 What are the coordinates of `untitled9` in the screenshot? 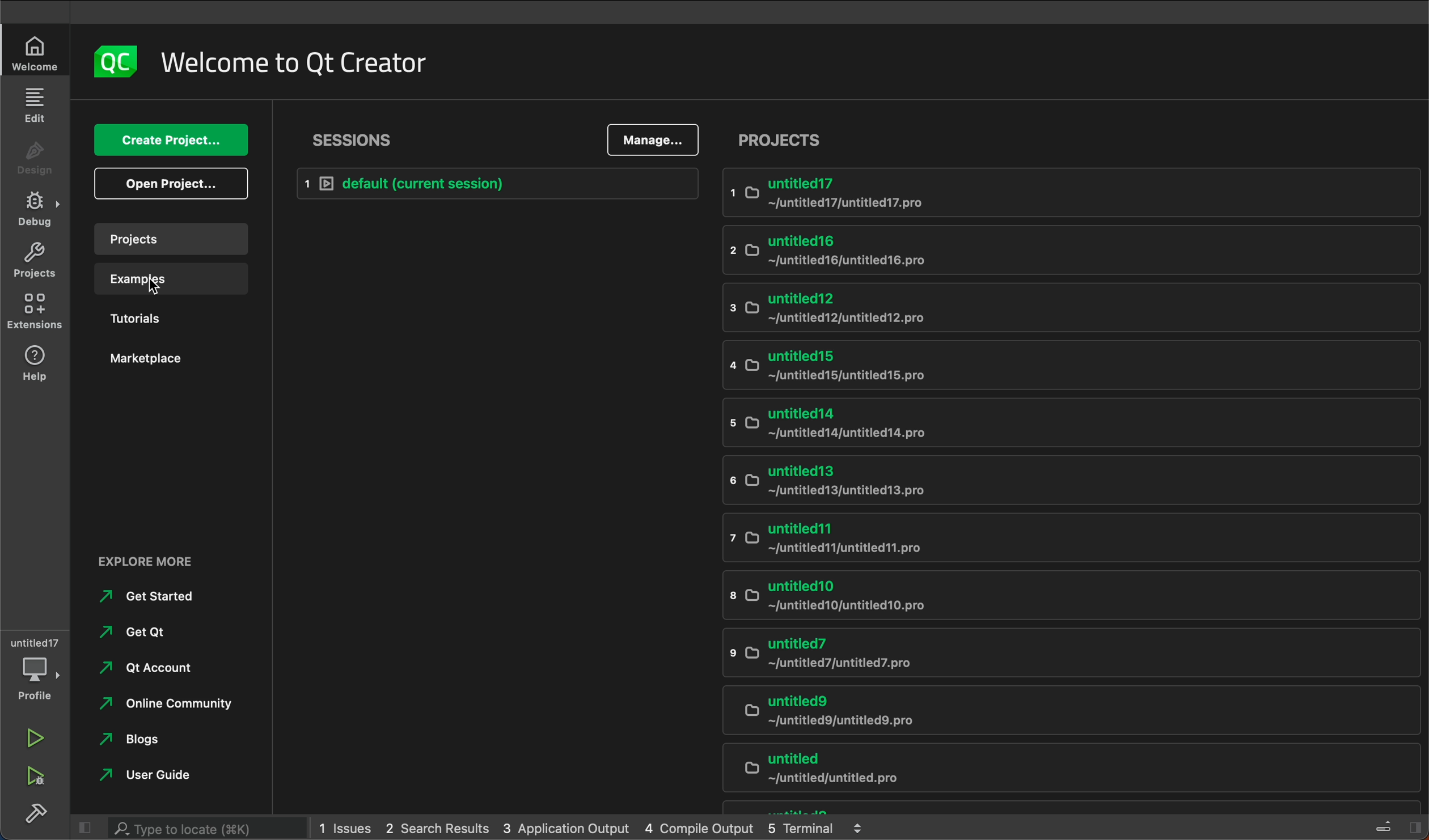 It's located at (1062, 711).